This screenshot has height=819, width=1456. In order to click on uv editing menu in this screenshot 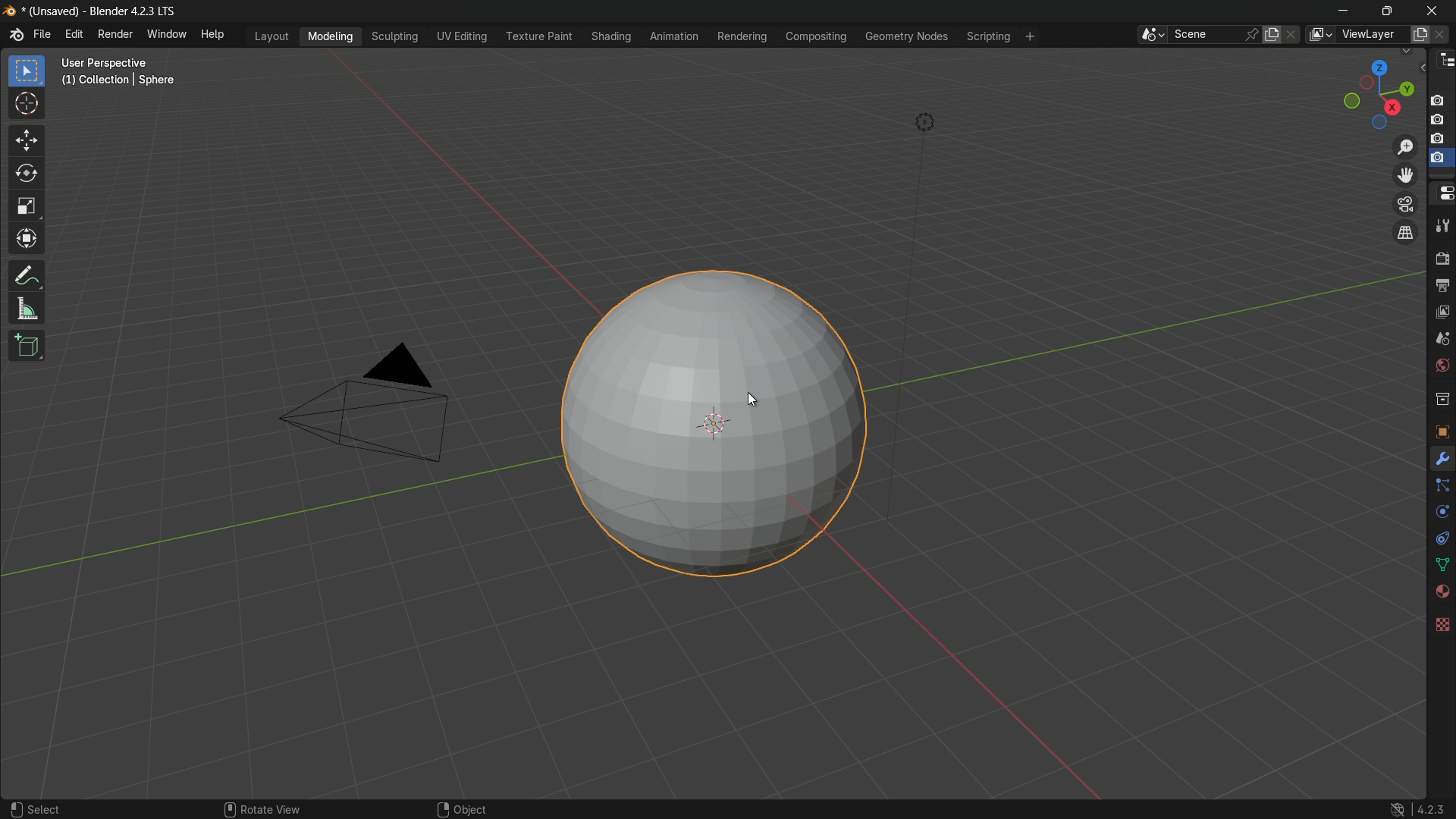, I will do `click(463, 36)`.